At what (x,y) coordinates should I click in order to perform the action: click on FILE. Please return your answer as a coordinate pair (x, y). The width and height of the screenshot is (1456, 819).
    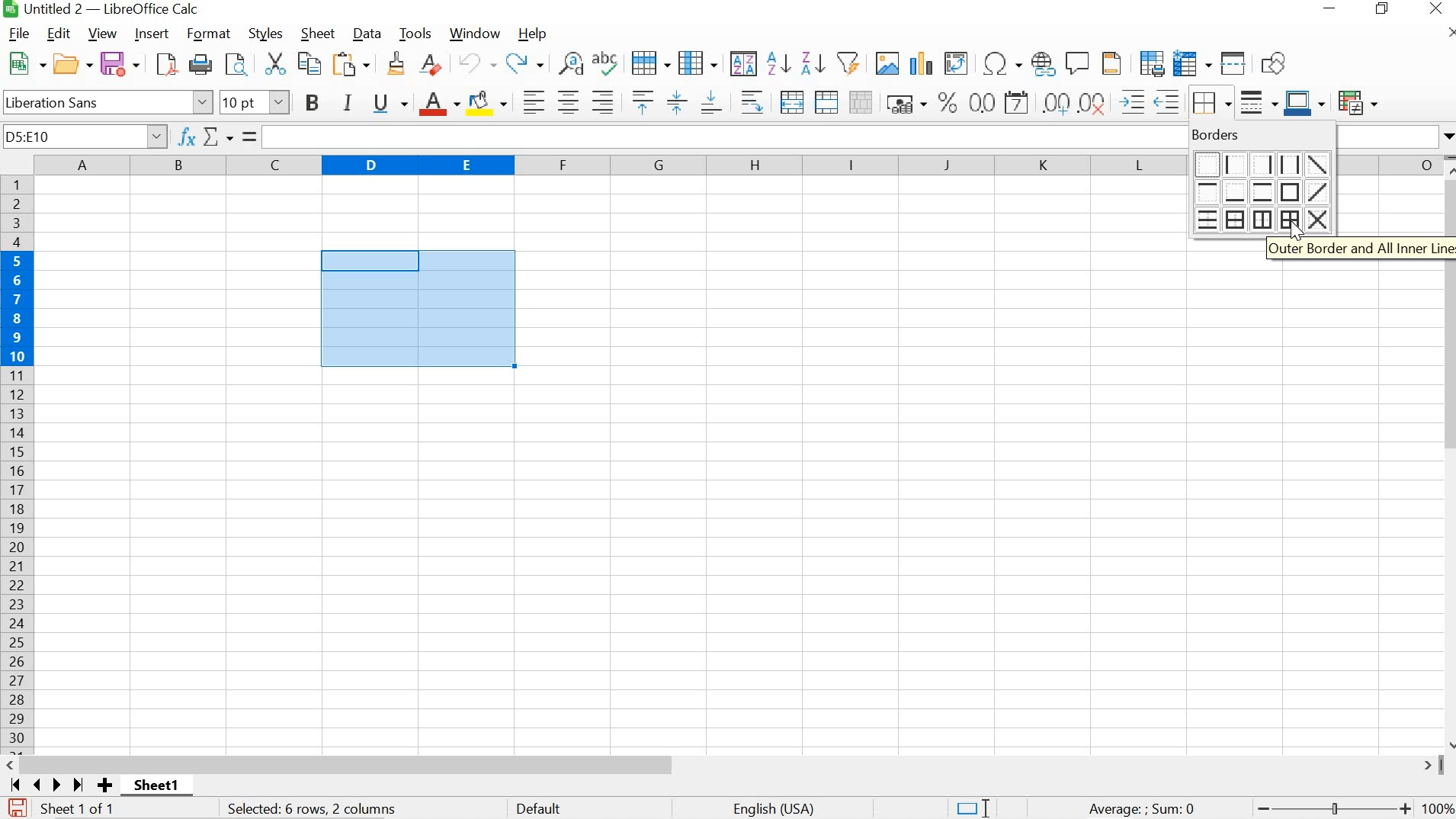
    Looking at the image, I should click on (20, 33).